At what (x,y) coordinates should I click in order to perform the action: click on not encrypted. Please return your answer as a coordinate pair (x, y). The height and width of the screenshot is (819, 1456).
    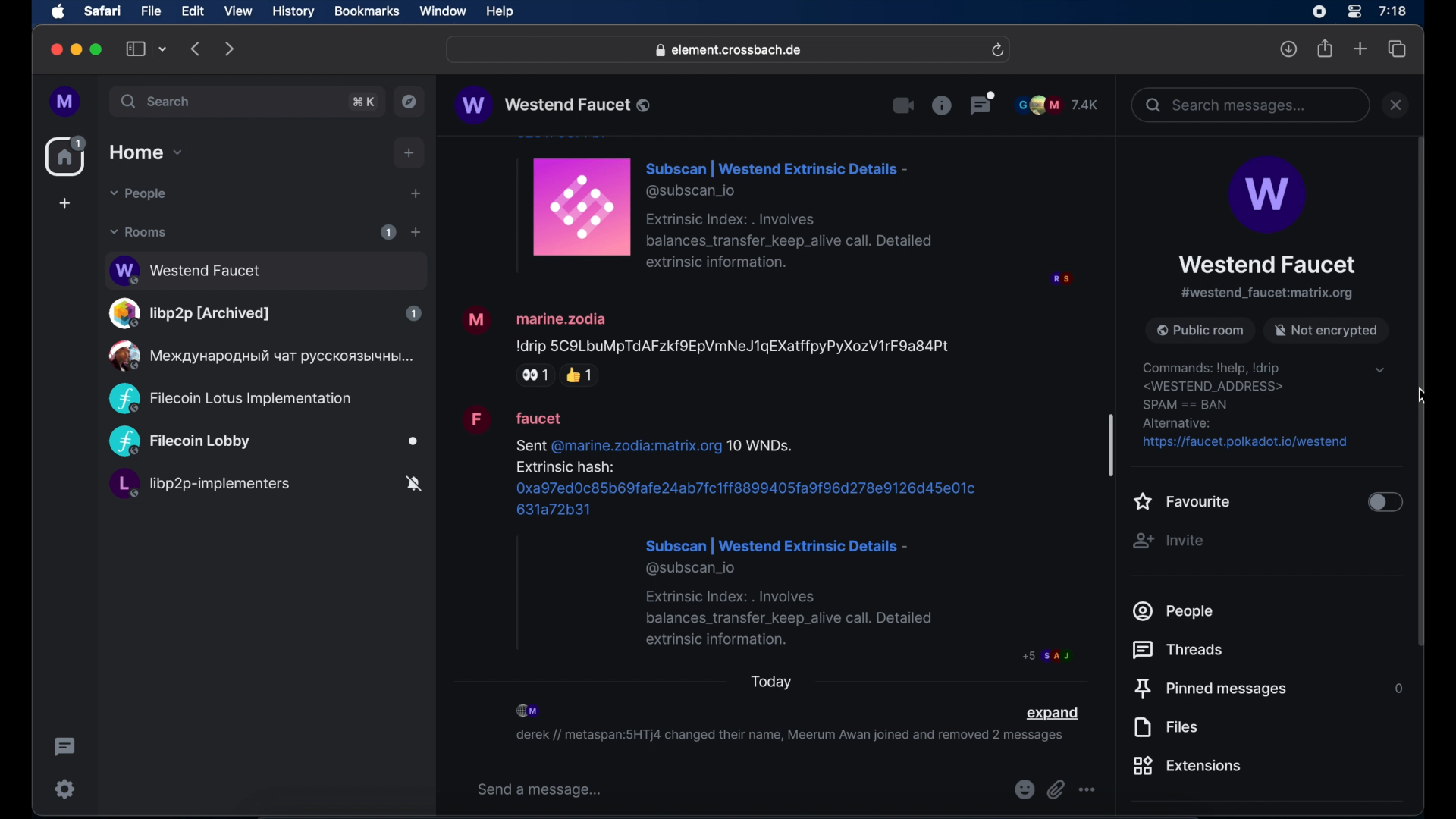
    Looking at the image, I should click on (1326, 328).